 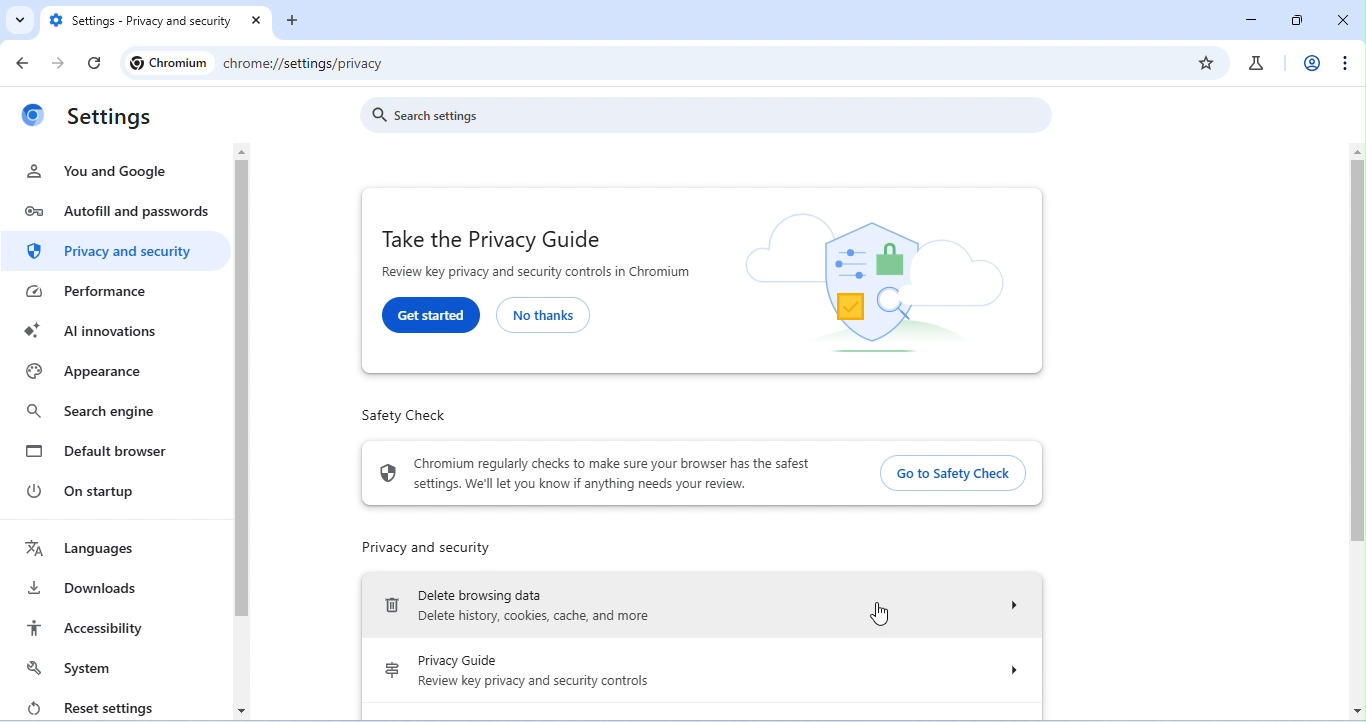 What do you see at coordinates (102, 331) in the screenshot?
I see `AI innovations` at bounding box center [102, 331].